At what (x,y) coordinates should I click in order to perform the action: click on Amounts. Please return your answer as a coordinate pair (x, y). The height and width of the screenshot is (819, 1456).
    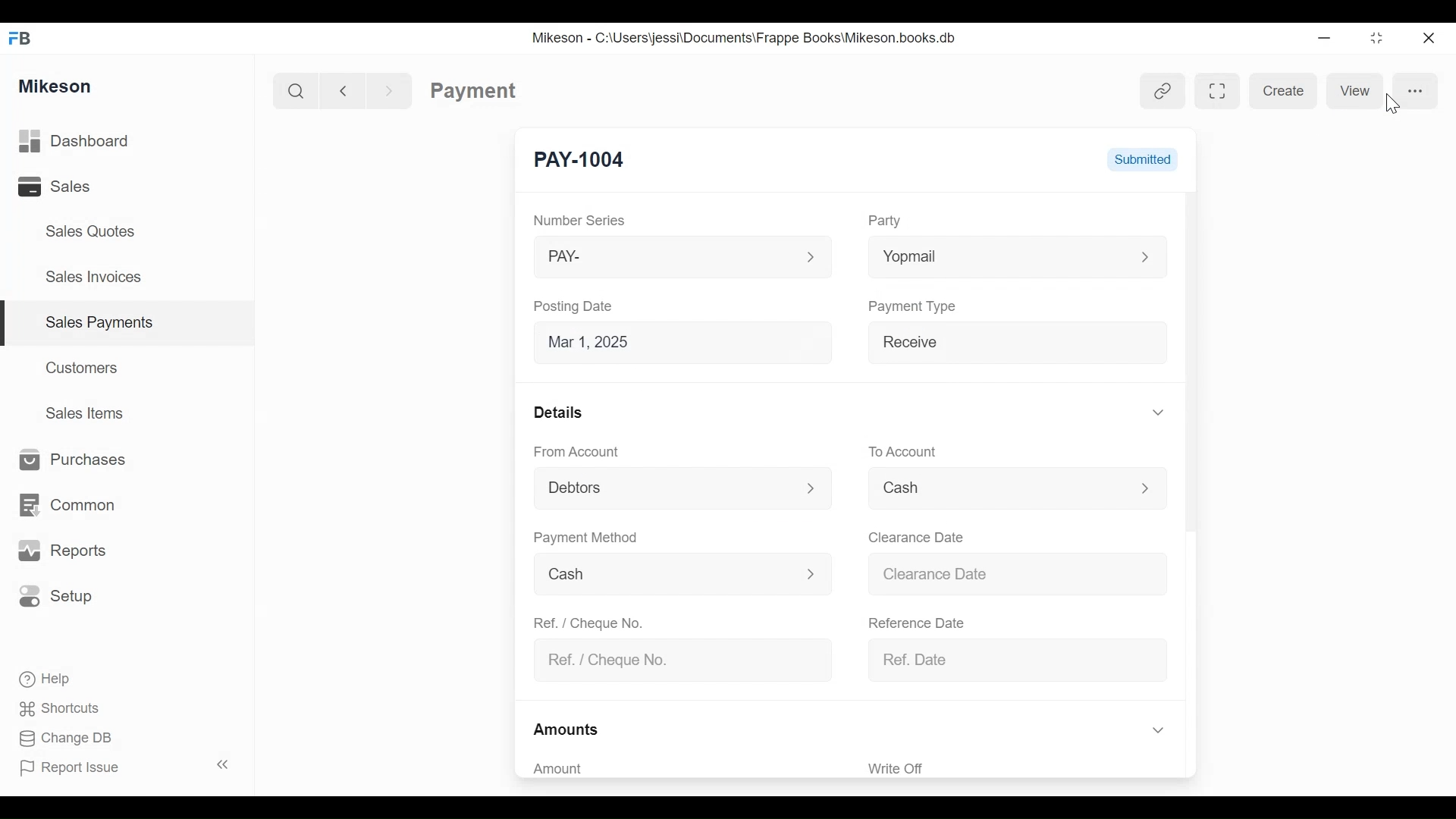
    Looking at the image, I should click on (570, 726).